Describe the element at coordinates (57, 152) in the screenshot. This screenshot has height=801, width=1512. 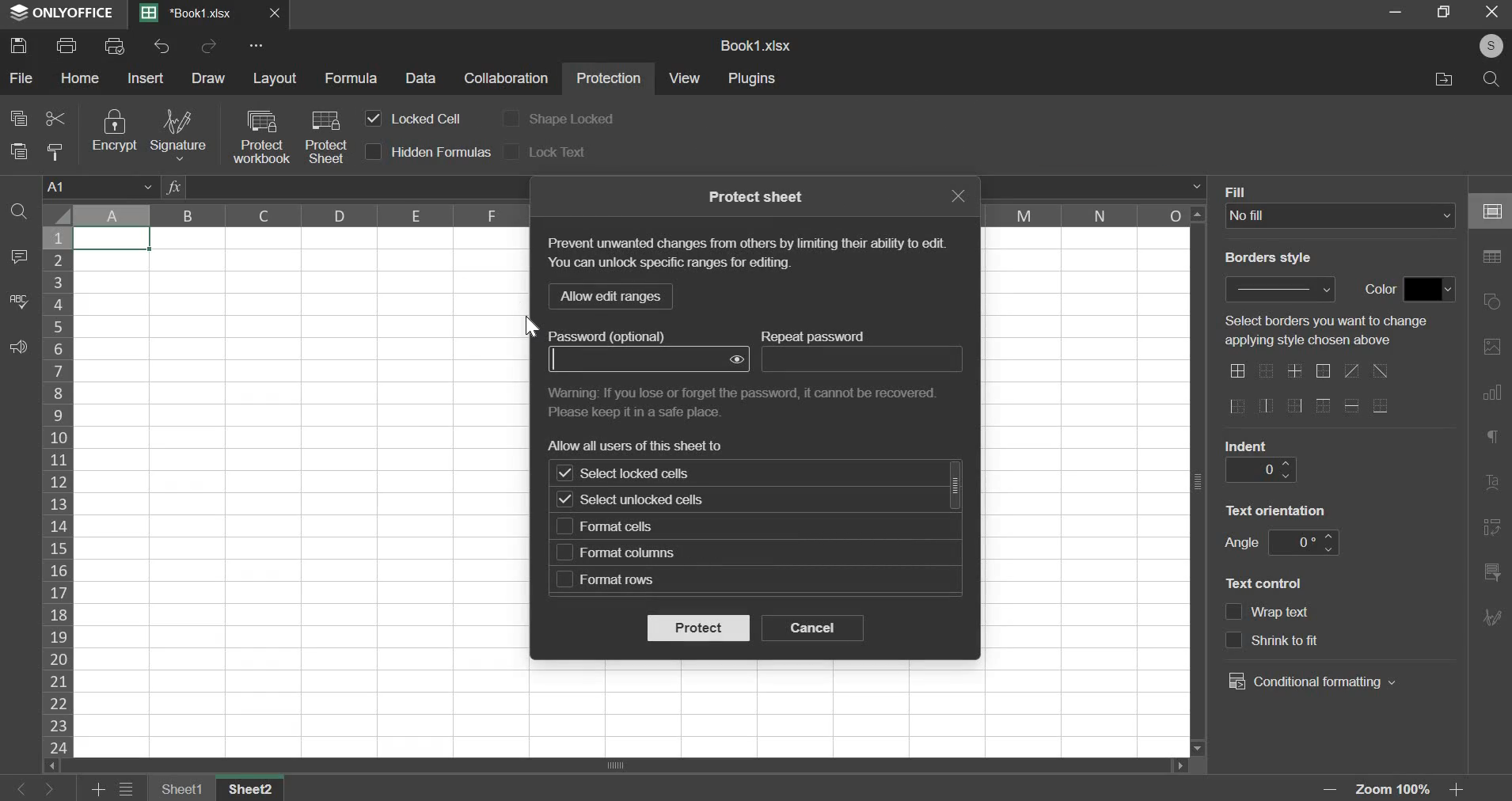
I see `copy style` at that location.